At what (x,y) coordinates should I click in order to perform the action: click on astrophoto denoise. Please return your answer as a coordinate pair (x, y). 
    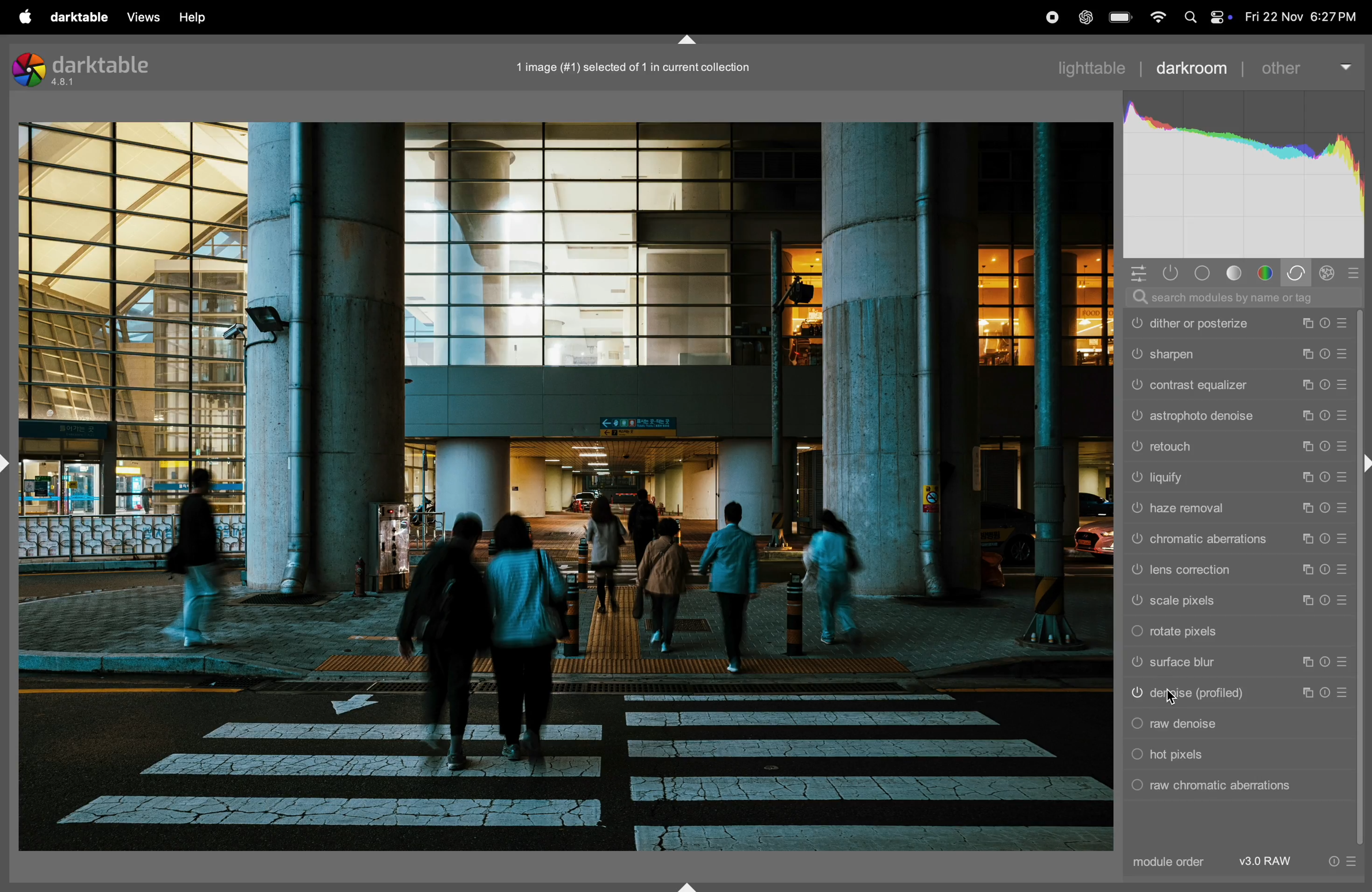
    Looking at the image, I should click on (1234, 415).